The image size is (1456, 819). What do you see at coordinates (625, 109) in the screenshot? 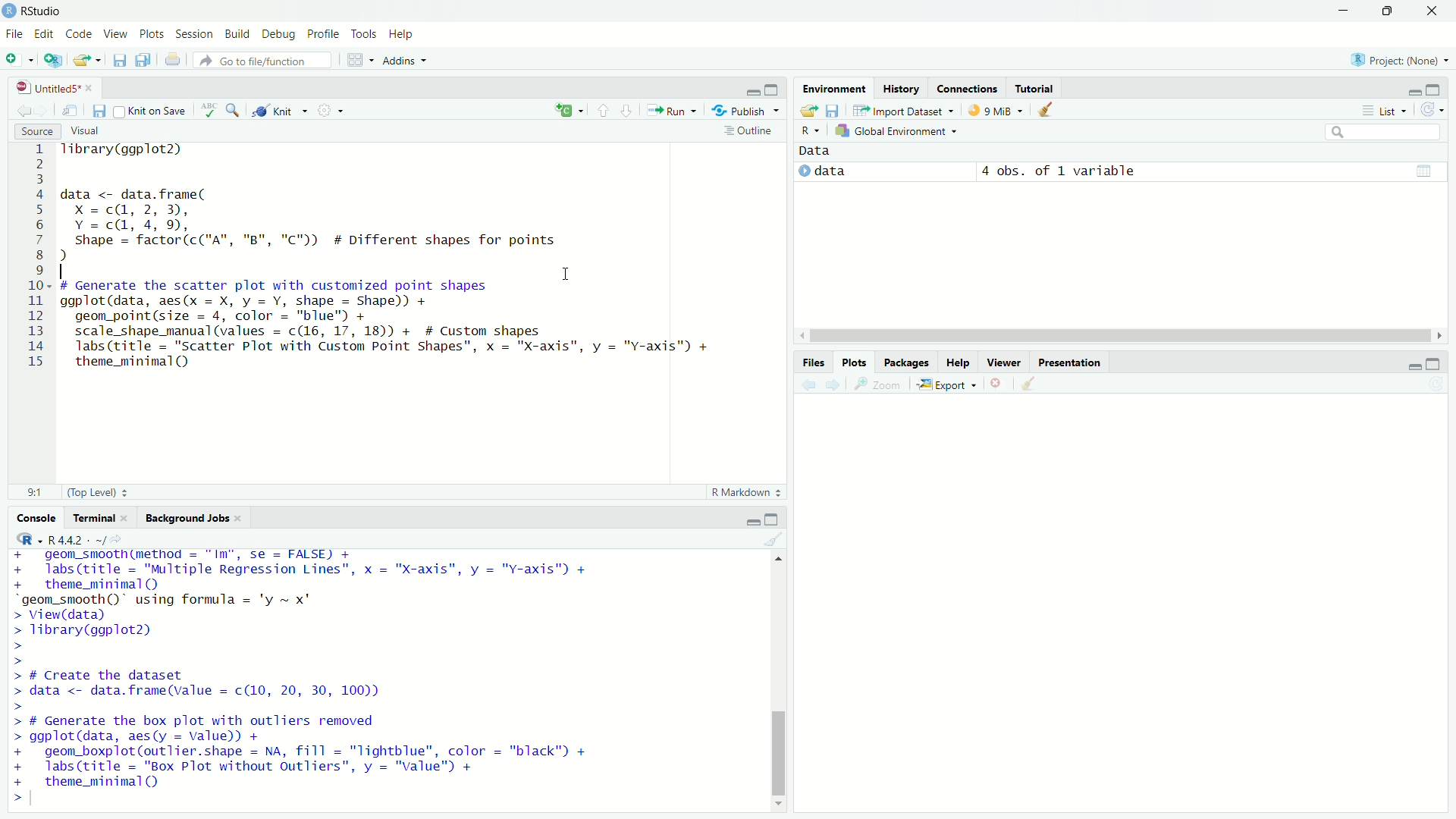
I see `Go to next section/chunk` at bounding box center [625, 109].